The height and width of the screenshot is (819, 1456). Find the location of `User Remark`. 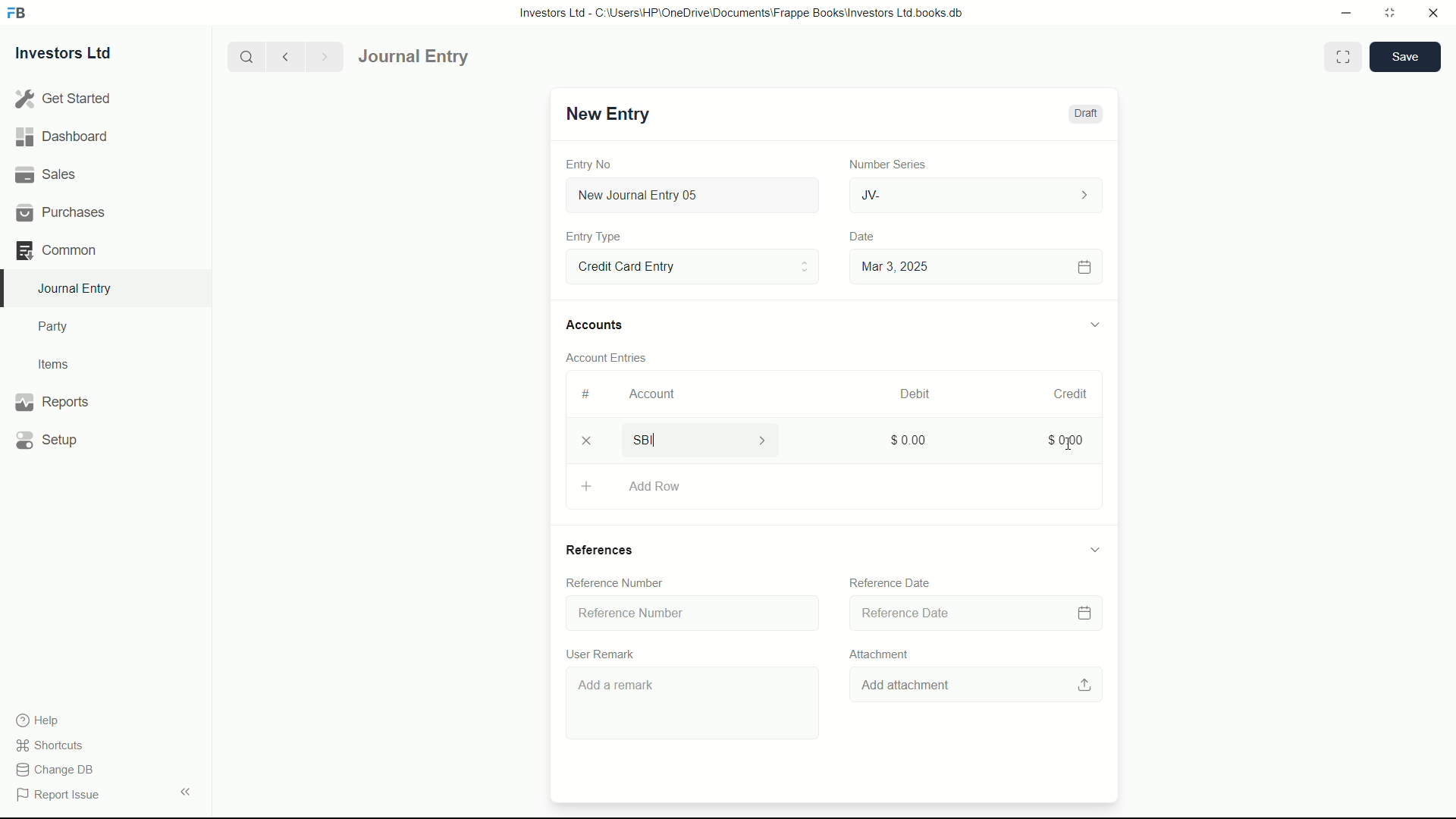

User Remark is located at coordinates (604, 651).